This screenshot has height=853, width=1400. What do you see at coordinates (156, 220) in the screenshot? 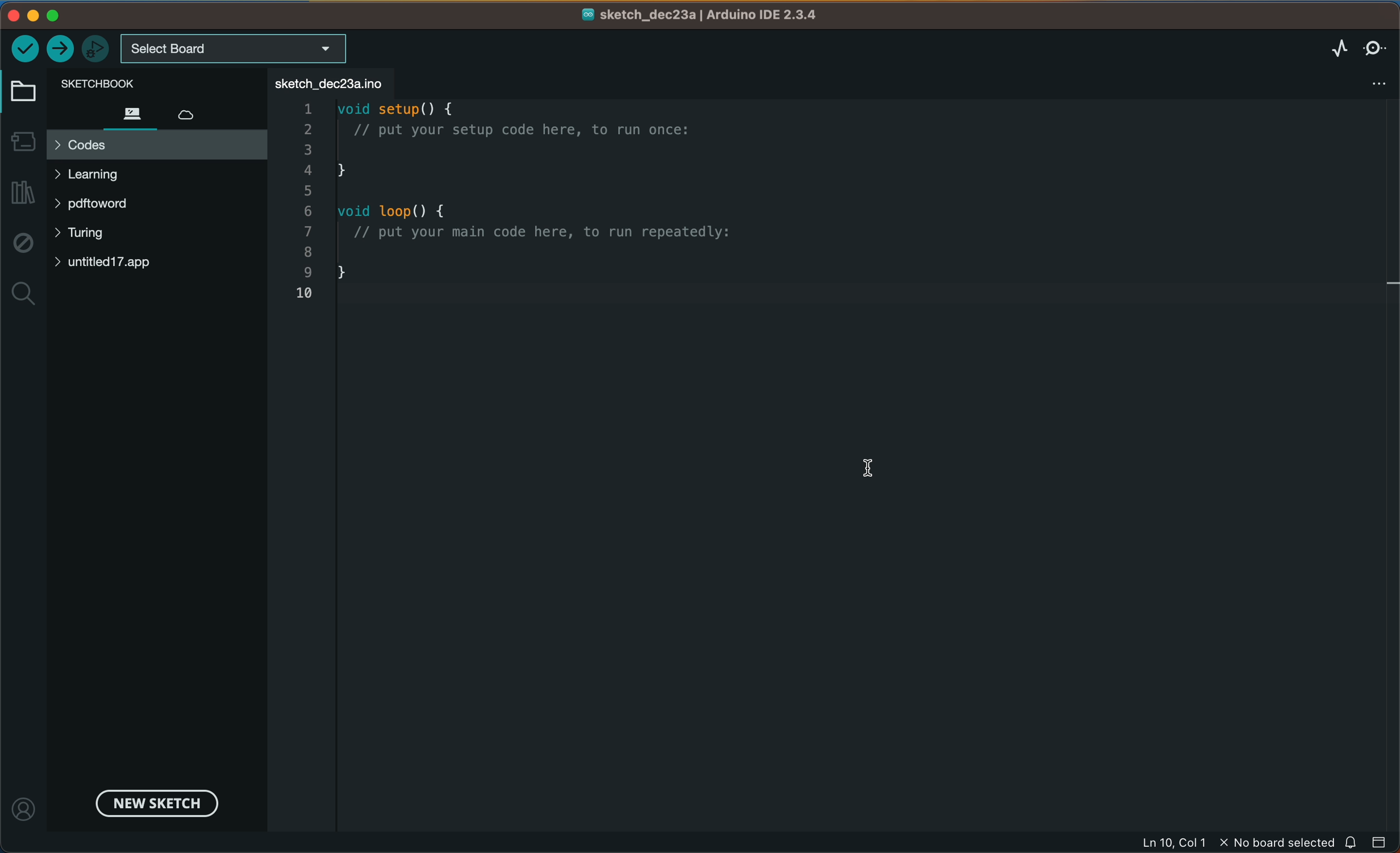
I see `files and folders ` at bounding box center [156, 220].